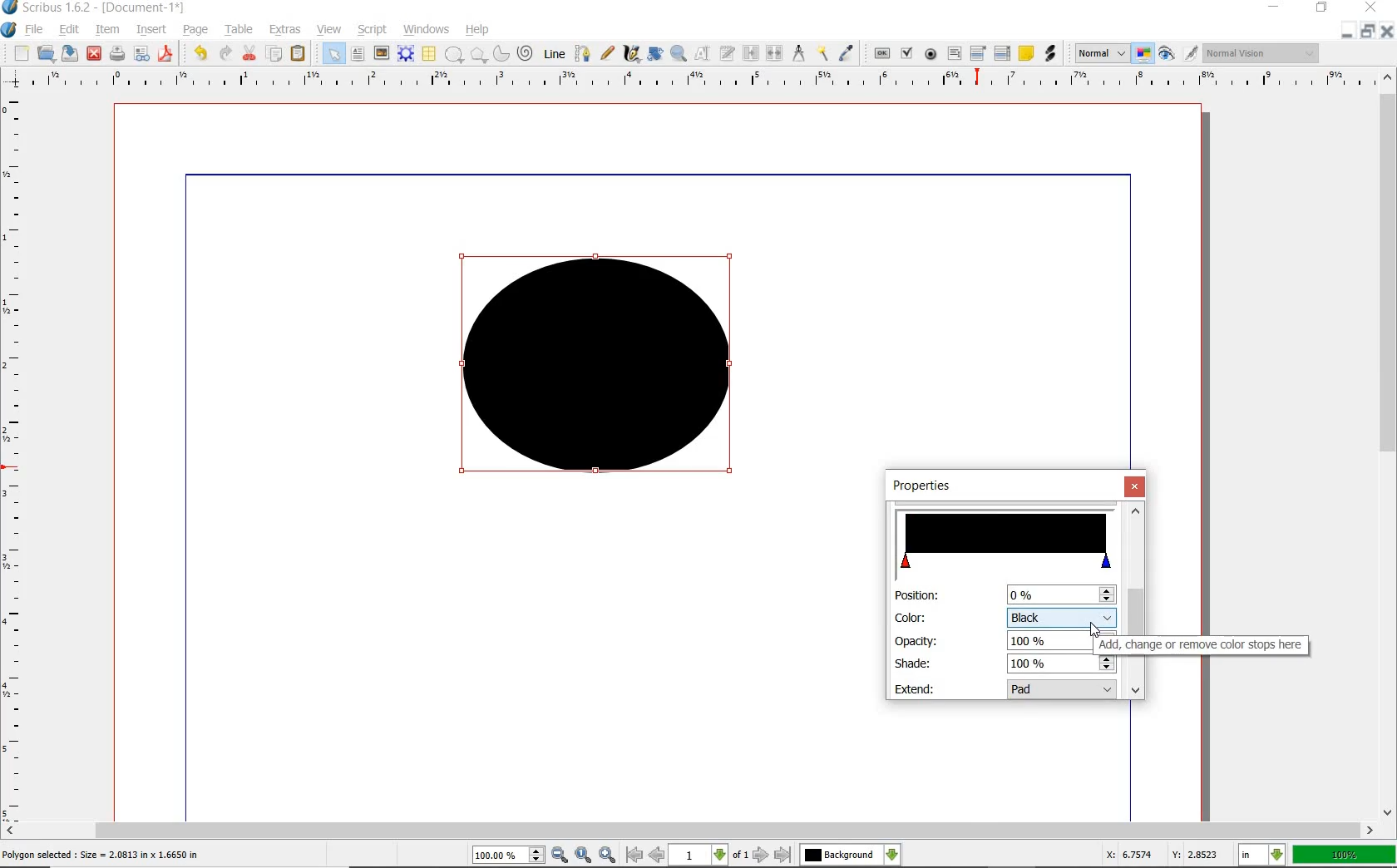 The width and height of the screenshot is (1397, 868). I want to click on SYSTEM NAME, so click(95, 7).